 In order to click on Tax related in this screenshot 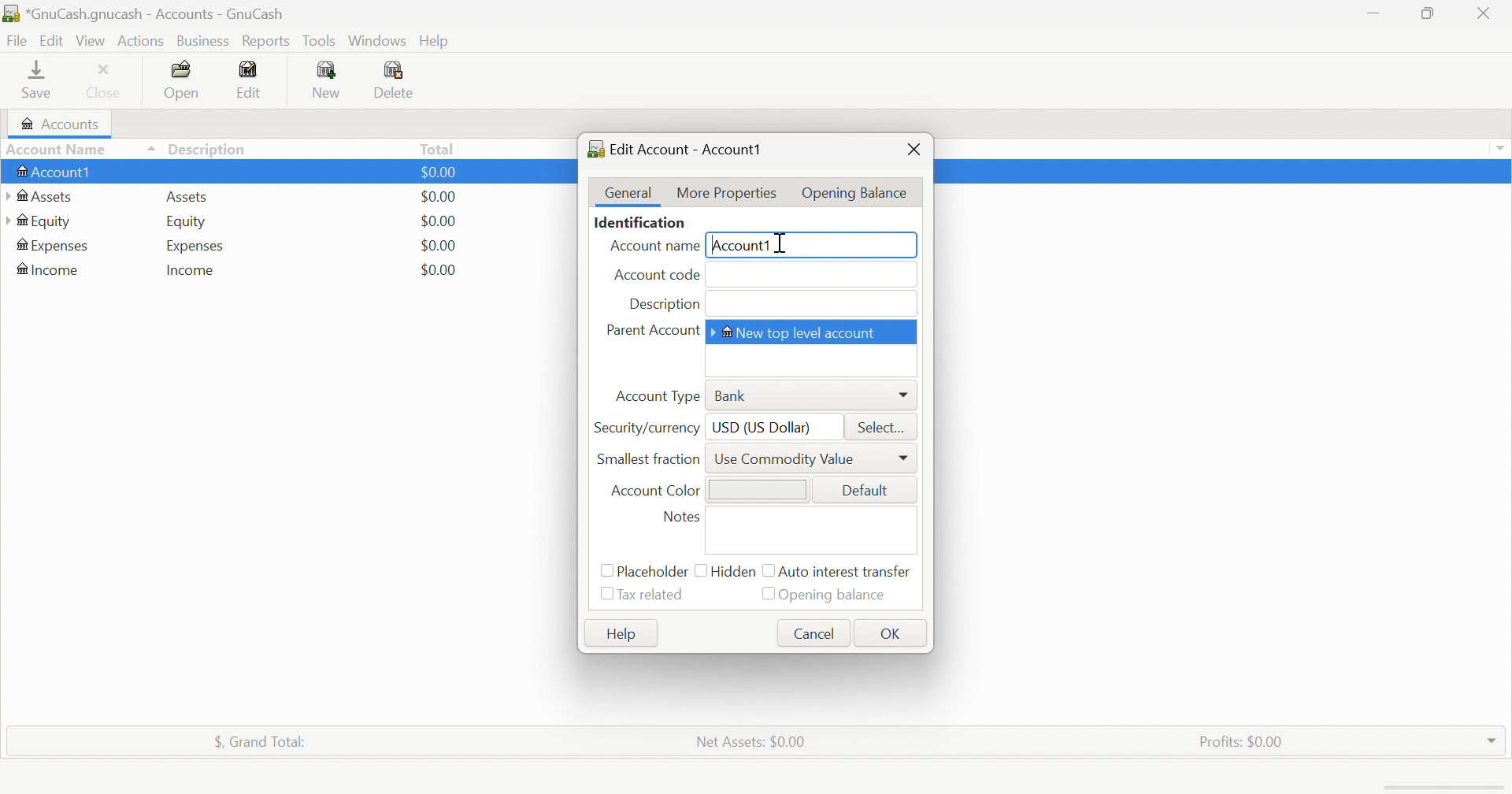, I will do `click(651, 595)`.